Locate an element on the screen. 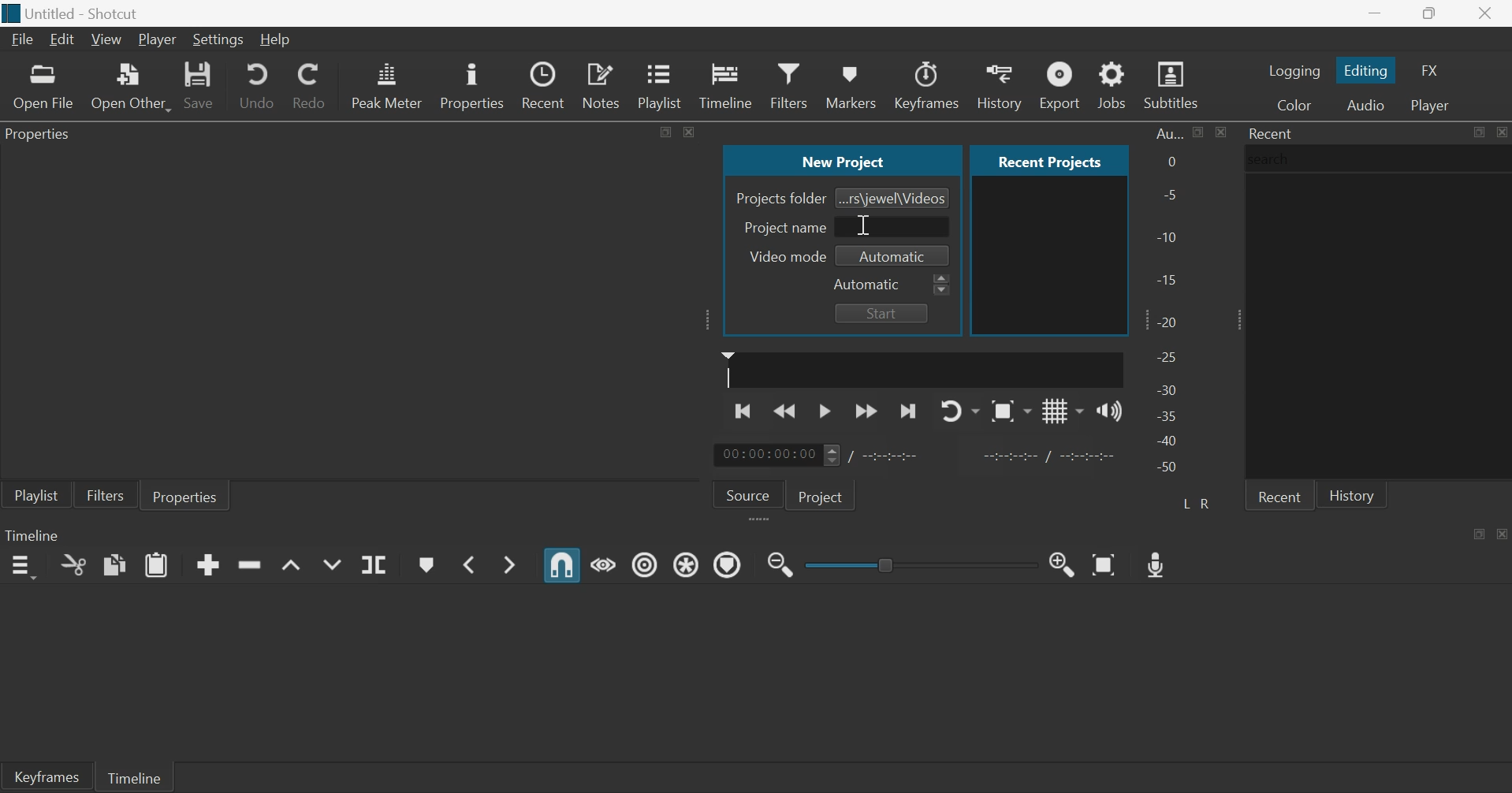 This screenshot has height=793, width=1512. Duration is located at coordinates (1387, 842).